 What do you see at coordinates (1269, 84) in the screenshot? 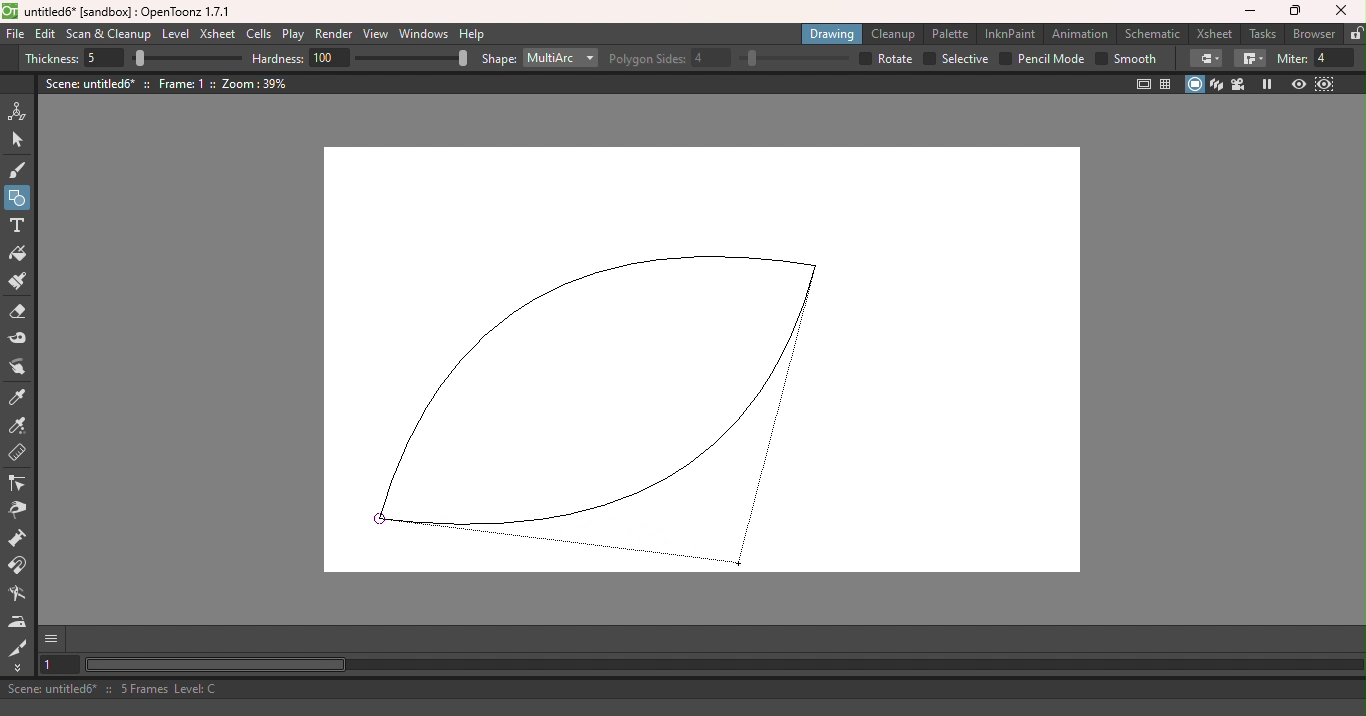
I see `Freeze` at bounding box center [1269, 84].